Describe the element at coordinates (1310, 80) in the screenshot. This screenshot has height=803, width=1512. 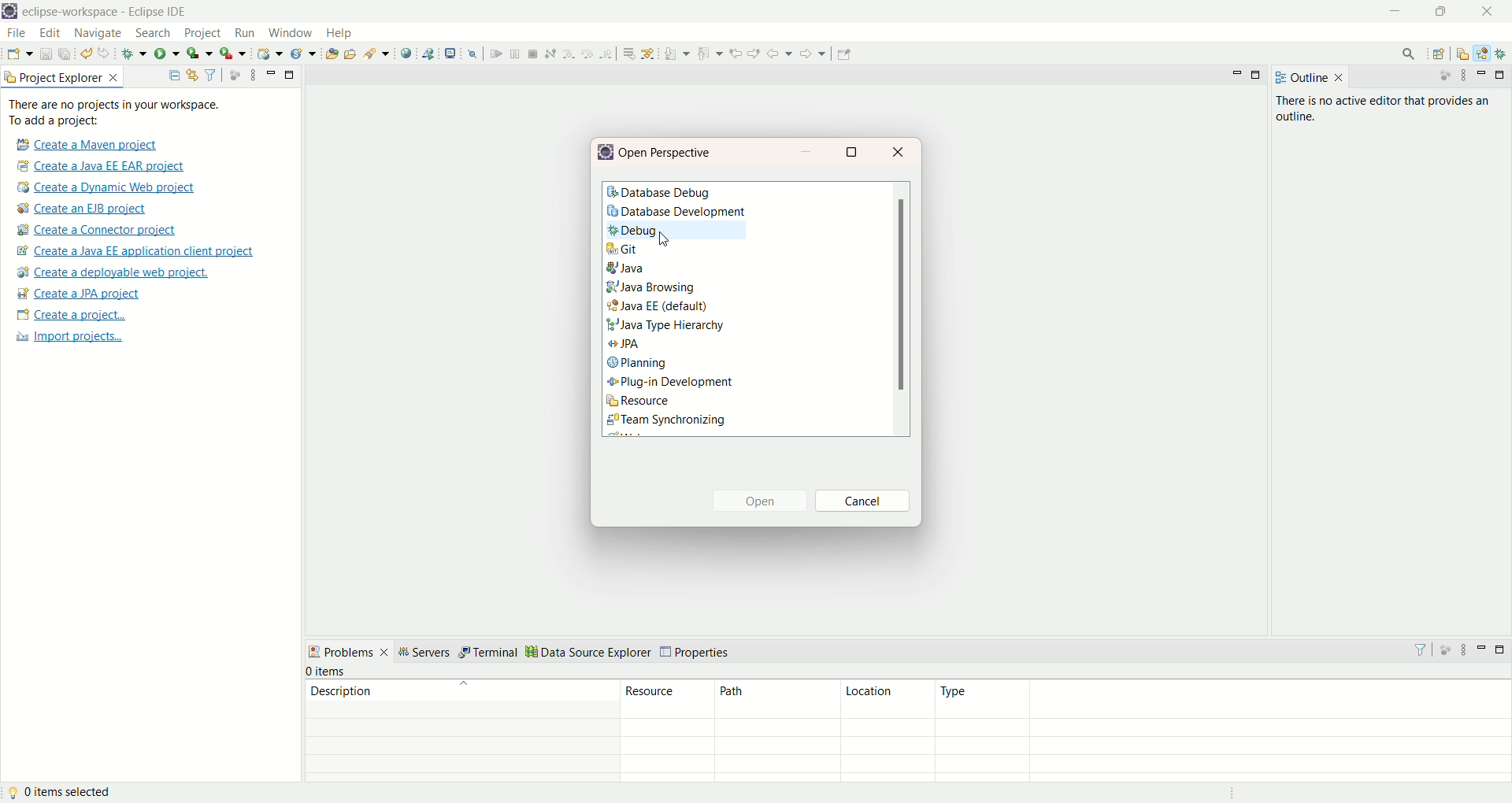
I see `outline` at that location.